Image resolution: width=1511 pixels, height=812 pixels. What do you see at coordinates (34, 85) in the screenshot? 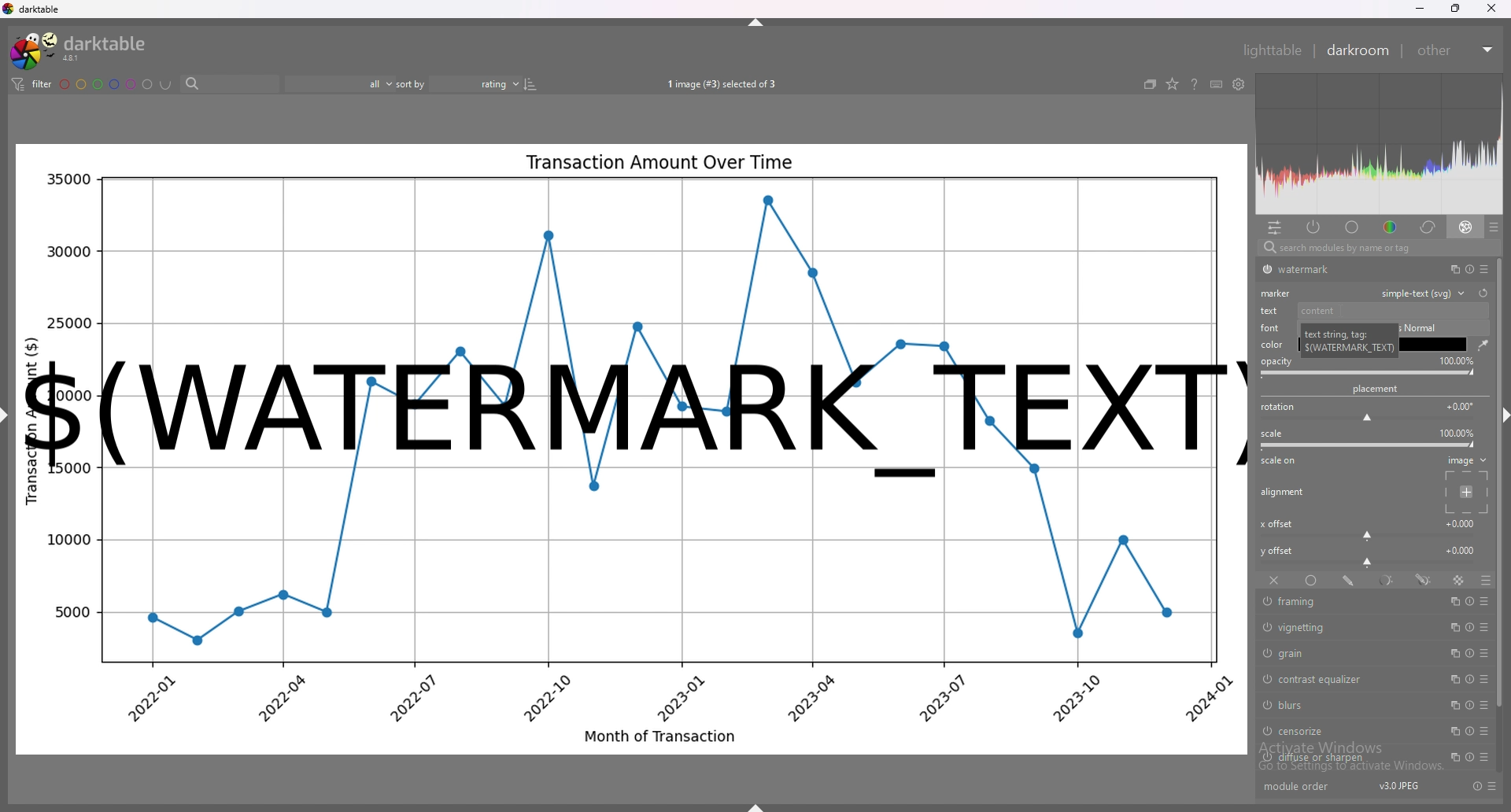
I see `filter` at bounding box center [34, 85].